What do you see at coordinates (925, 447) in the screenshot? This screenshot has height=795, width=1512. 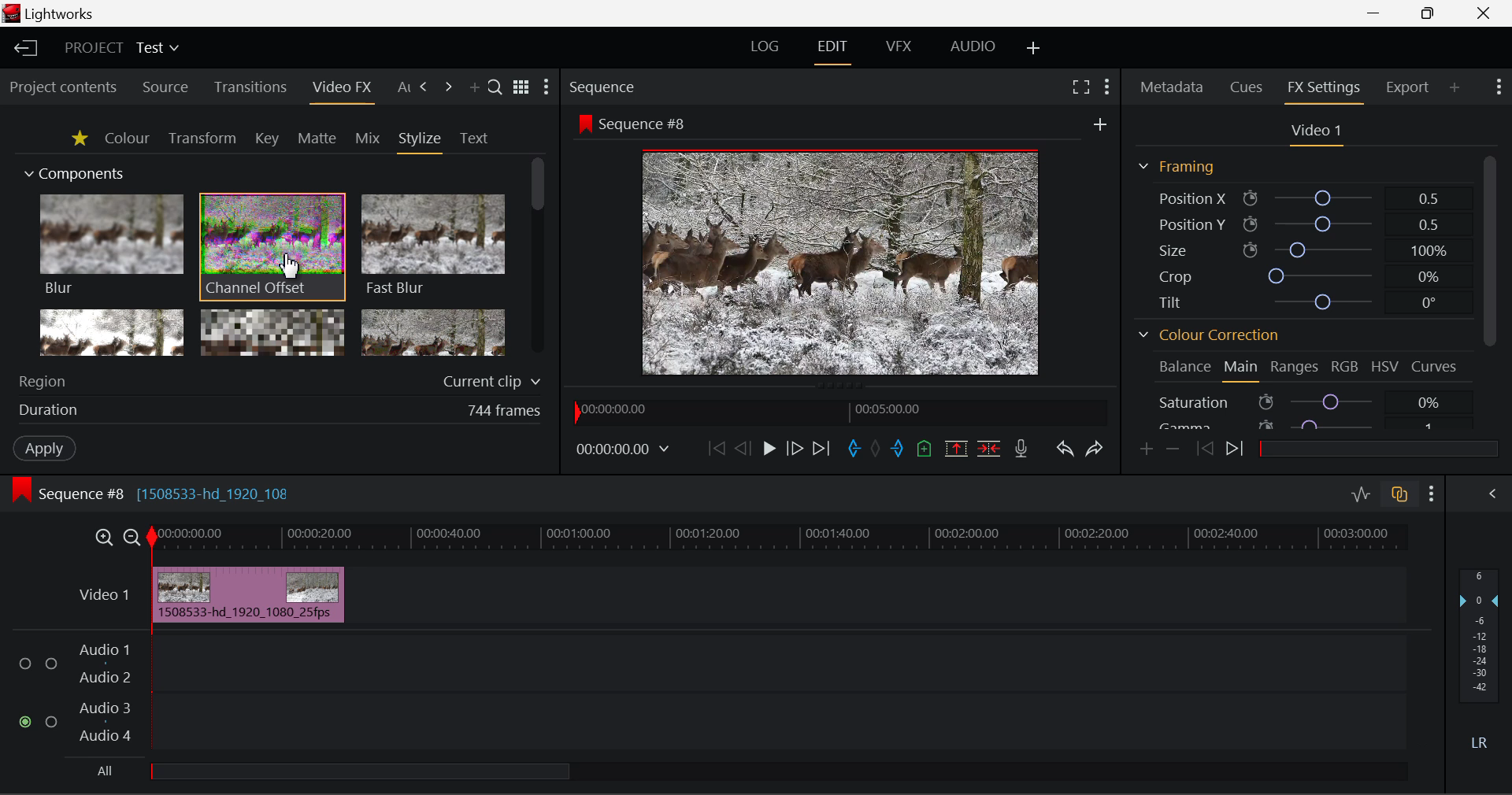 I see `Mark Cue` at bounding box center [925, 447].